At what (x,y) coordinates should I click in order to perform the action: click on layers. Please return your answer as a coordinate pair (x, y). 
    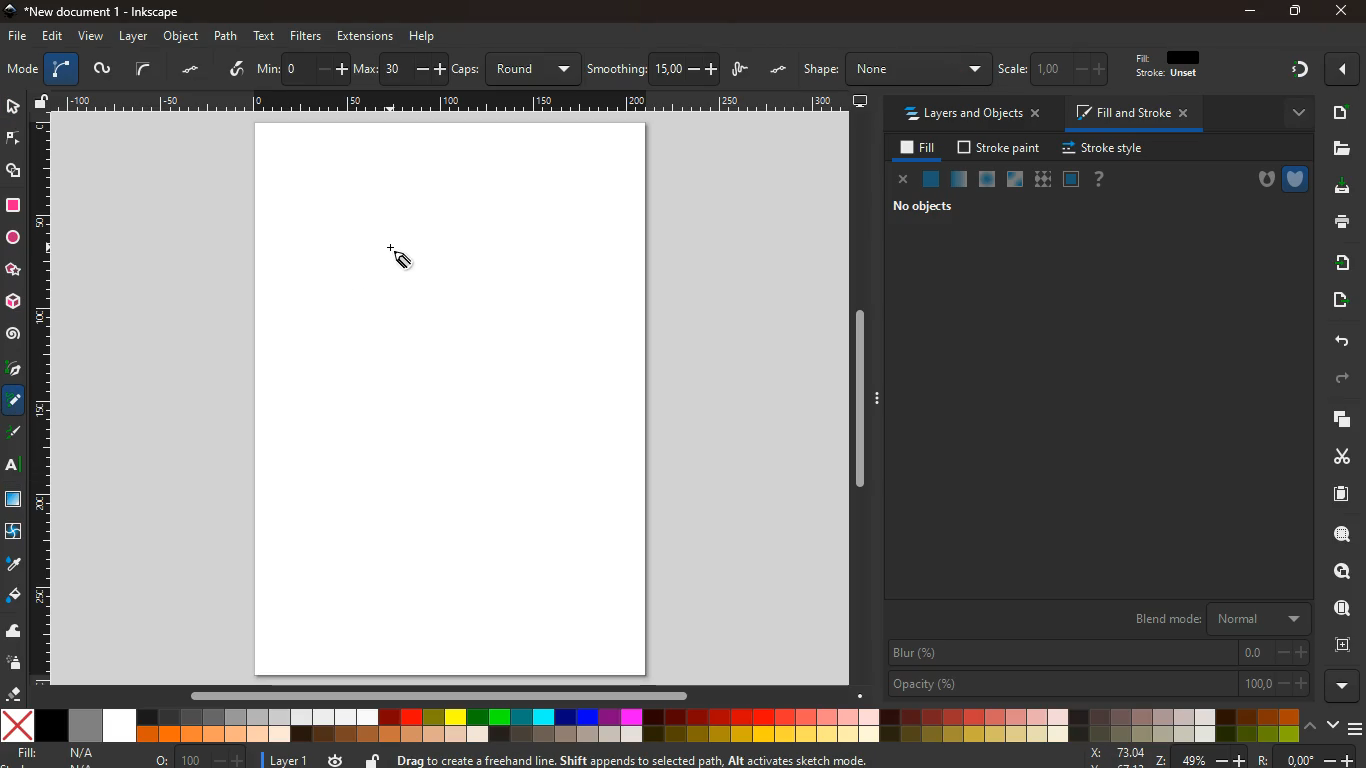
    Looking at the image, I should click on (1335, 419).